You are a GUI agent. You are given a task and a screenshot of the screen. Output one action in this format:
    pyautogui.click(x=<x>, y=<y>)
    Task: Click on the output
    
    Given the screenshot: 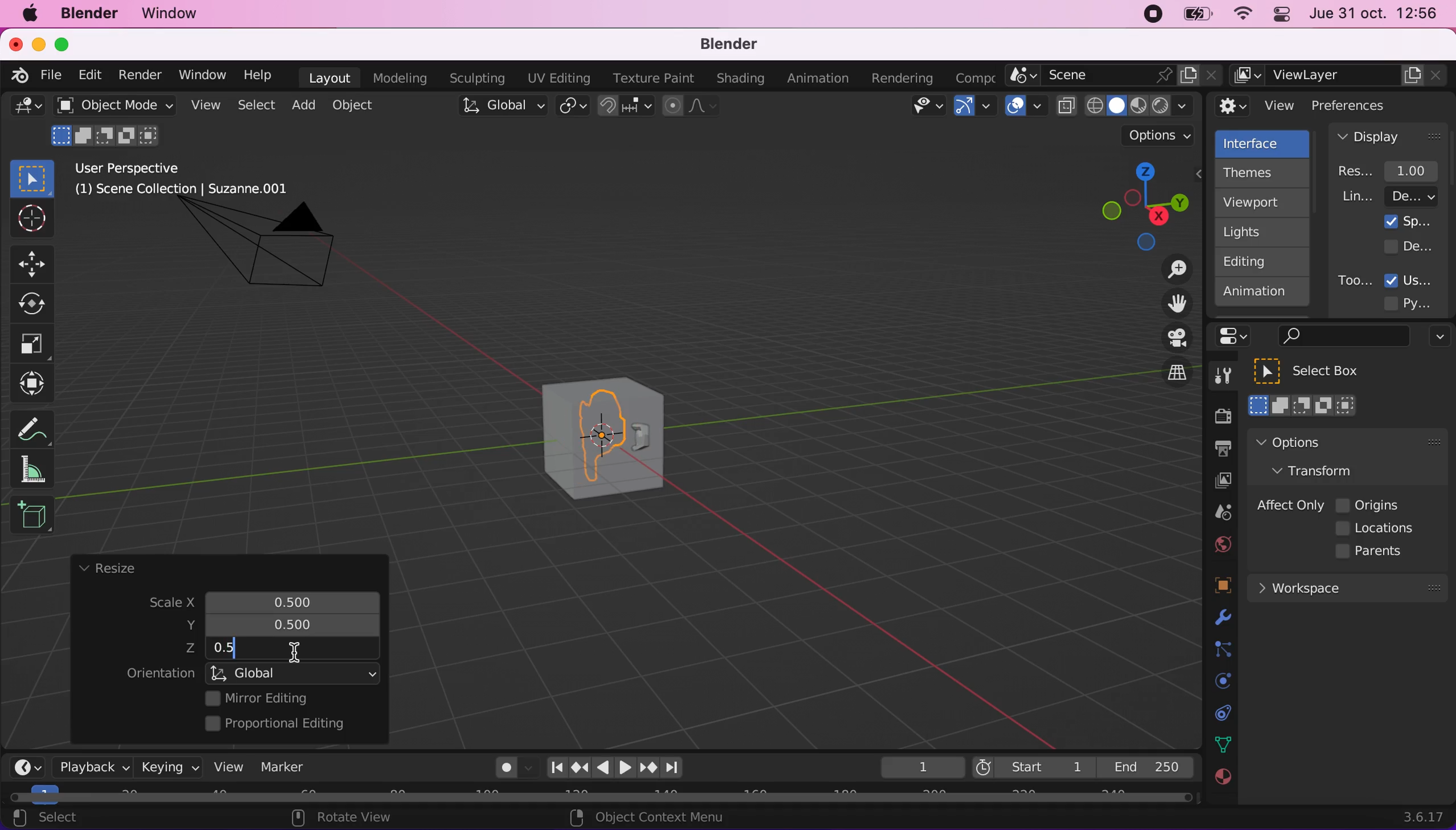 What is the action you would take?
    pyautogui.click(x=1217, y=450)
    